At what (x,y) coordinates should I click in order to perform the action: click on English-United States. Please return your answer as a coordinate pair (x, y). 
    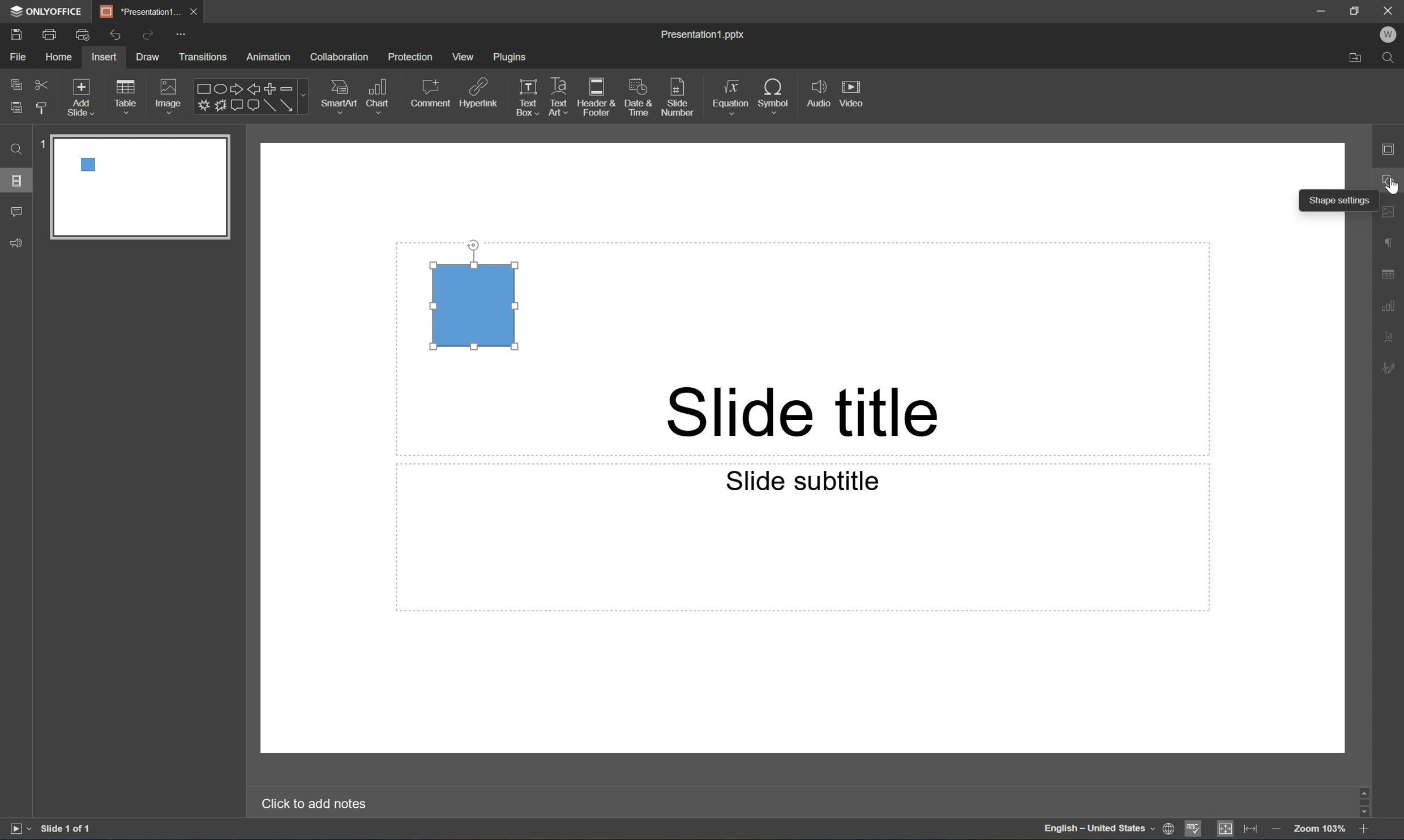
    Looking at the image, I should click on (1097, 830).